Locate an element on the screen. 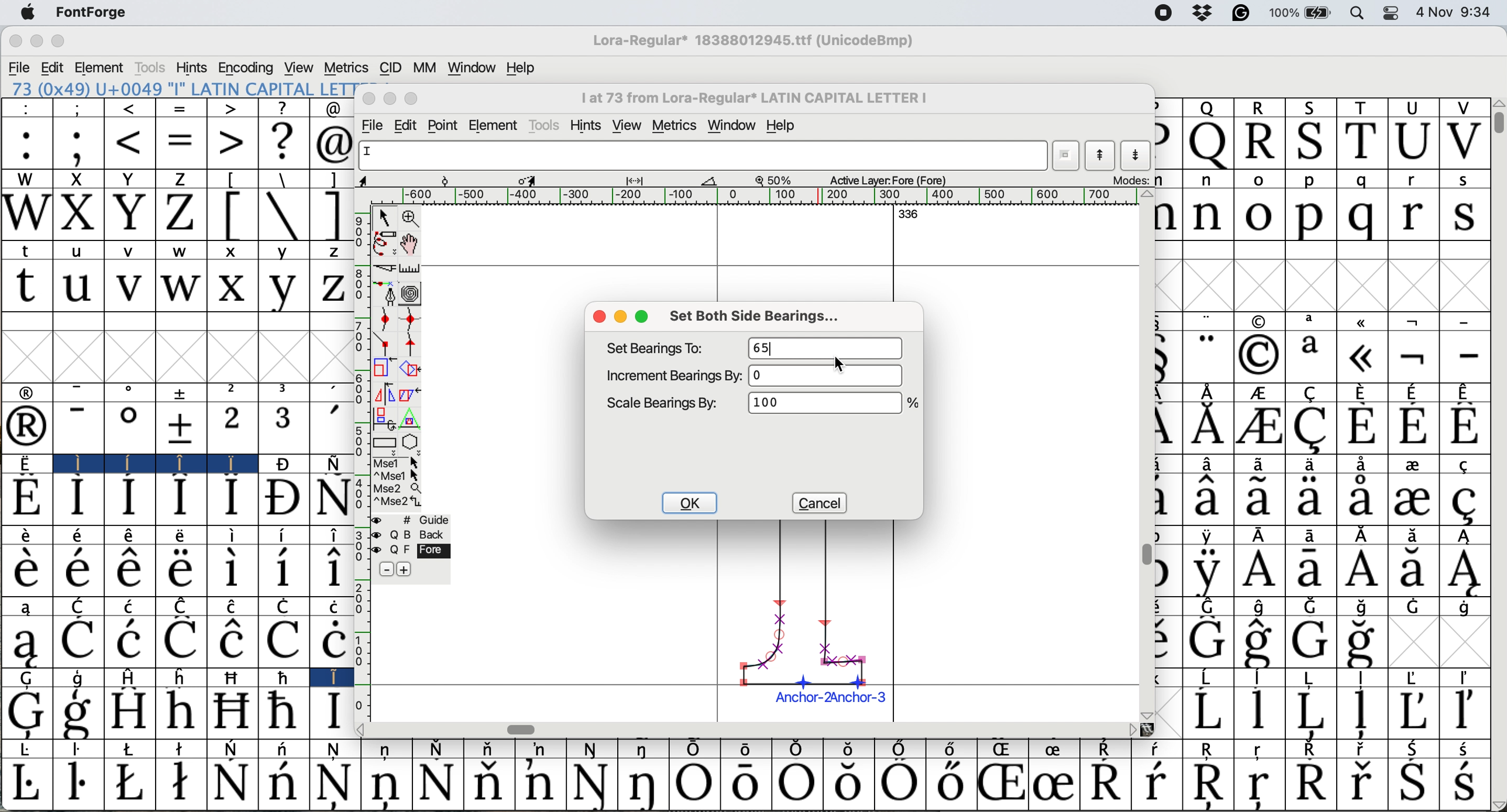 This screenshot has height=812, width=1507. Symbol is located at coordinates (1363, 607).